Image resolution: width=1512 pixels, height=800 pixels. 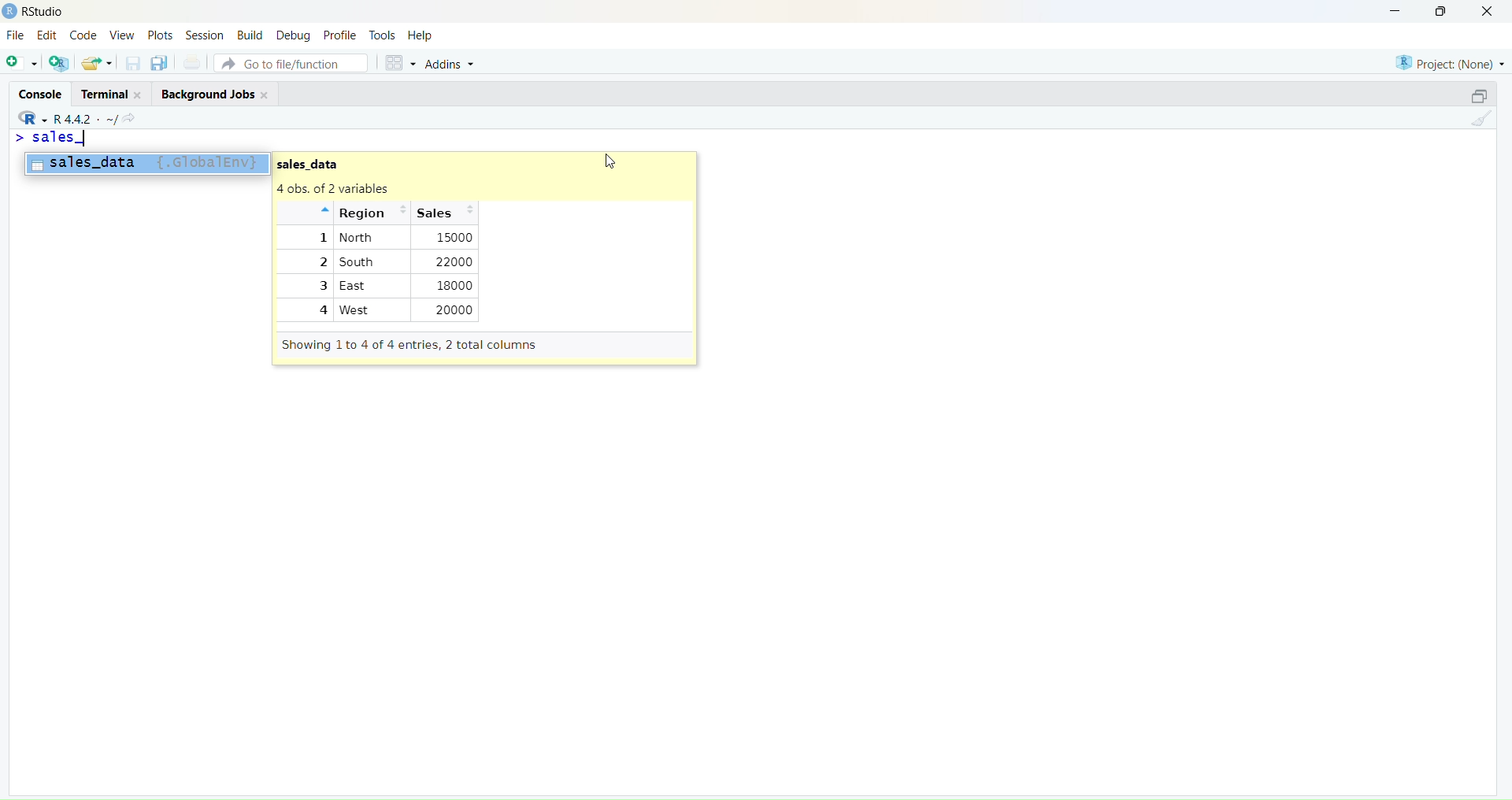 I want to click on ) RStudio, so click(x=40, y=9).